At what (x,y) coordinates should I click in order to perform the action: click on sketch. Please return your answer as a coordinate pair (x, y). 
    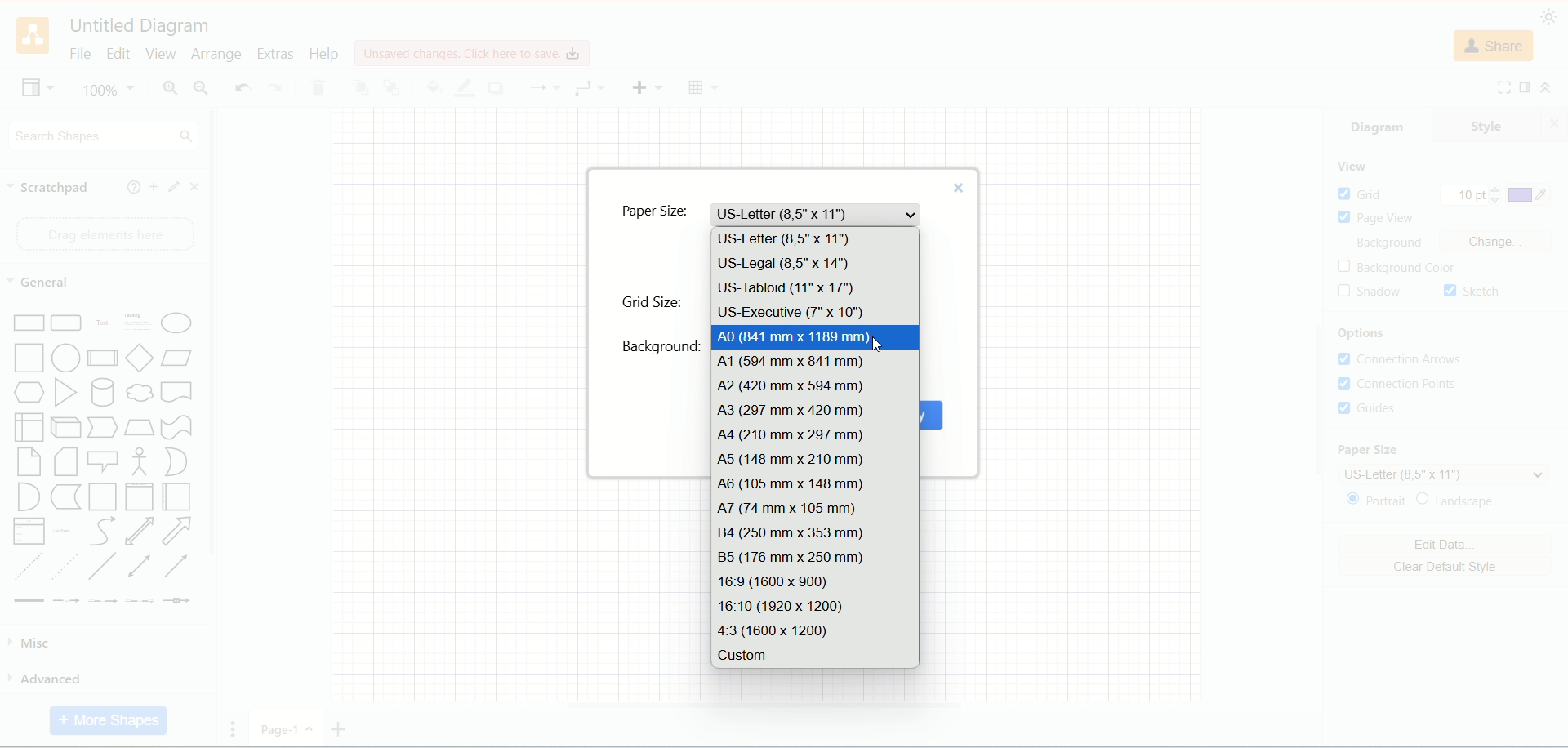
    Looking at the image, I should click on (1472, 292).